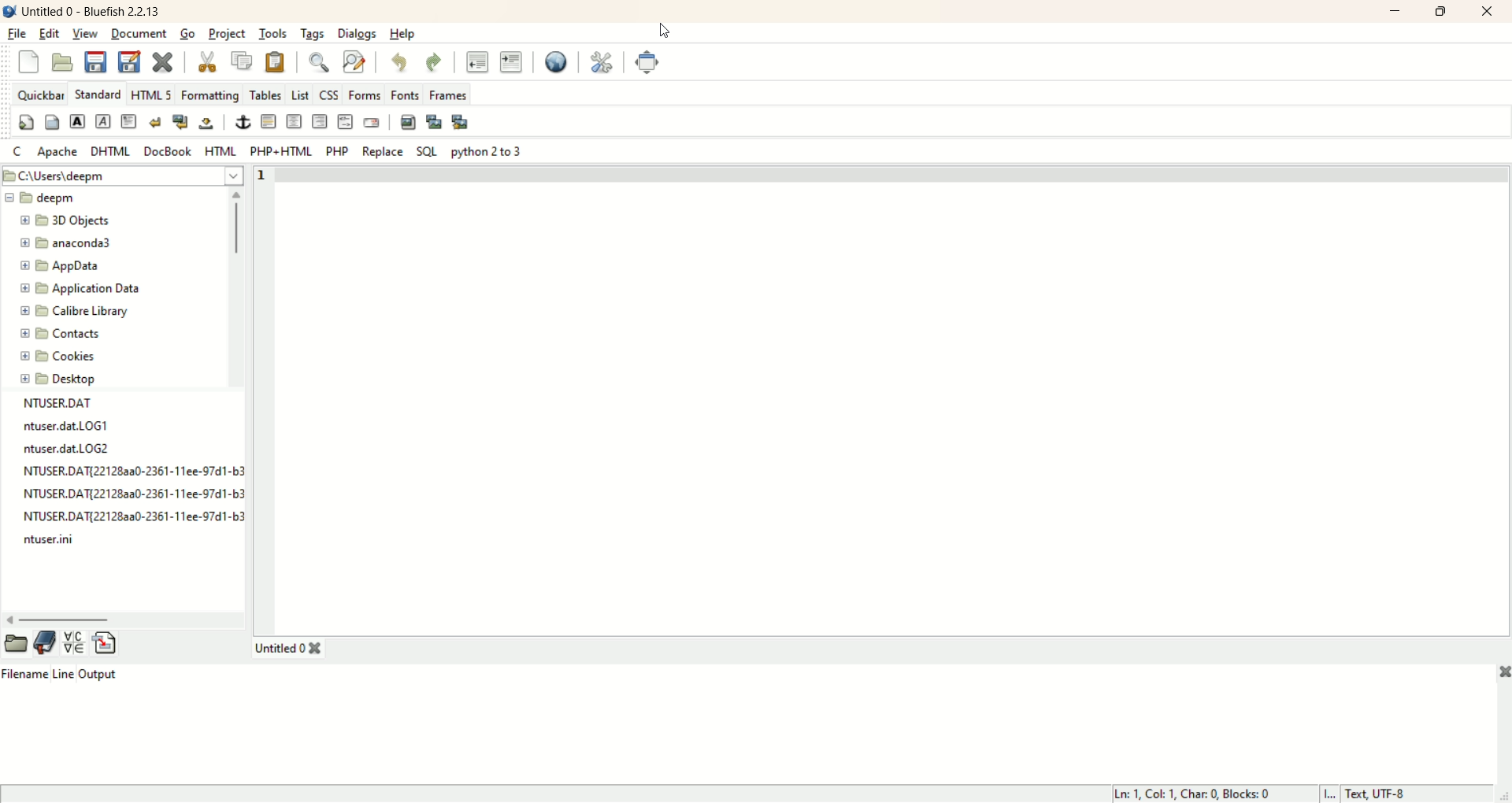 The height and width of the screenshot is (803, 1512). What do you see at coordinates (301, 94) in the screenshot?
I see `list` at bounding box center [301, 94].